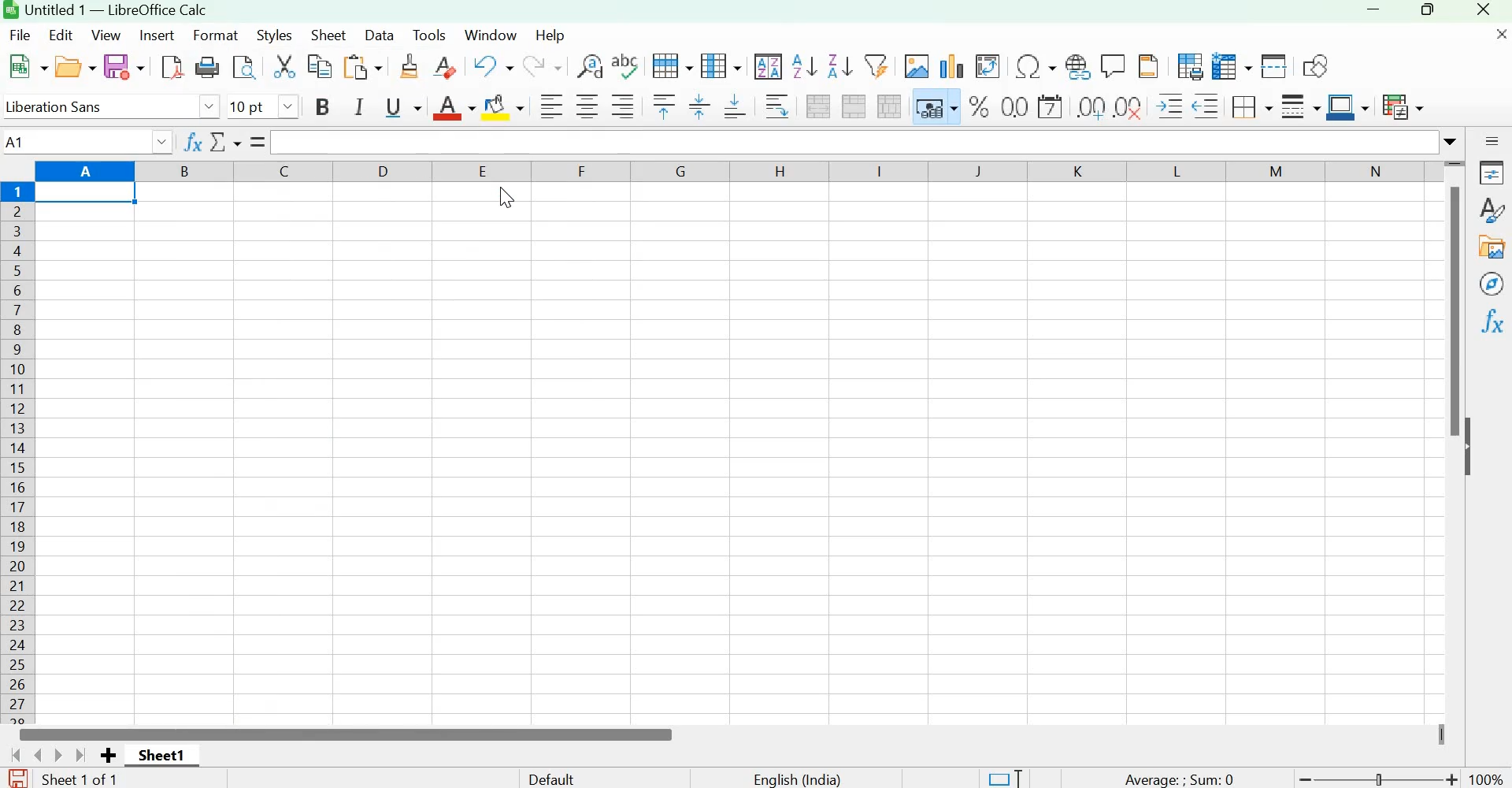 This screenshot has height=788, width=1512. Describe the element at coordinates (736, 110) in the screenshot. I see `Align bottom` at that location.